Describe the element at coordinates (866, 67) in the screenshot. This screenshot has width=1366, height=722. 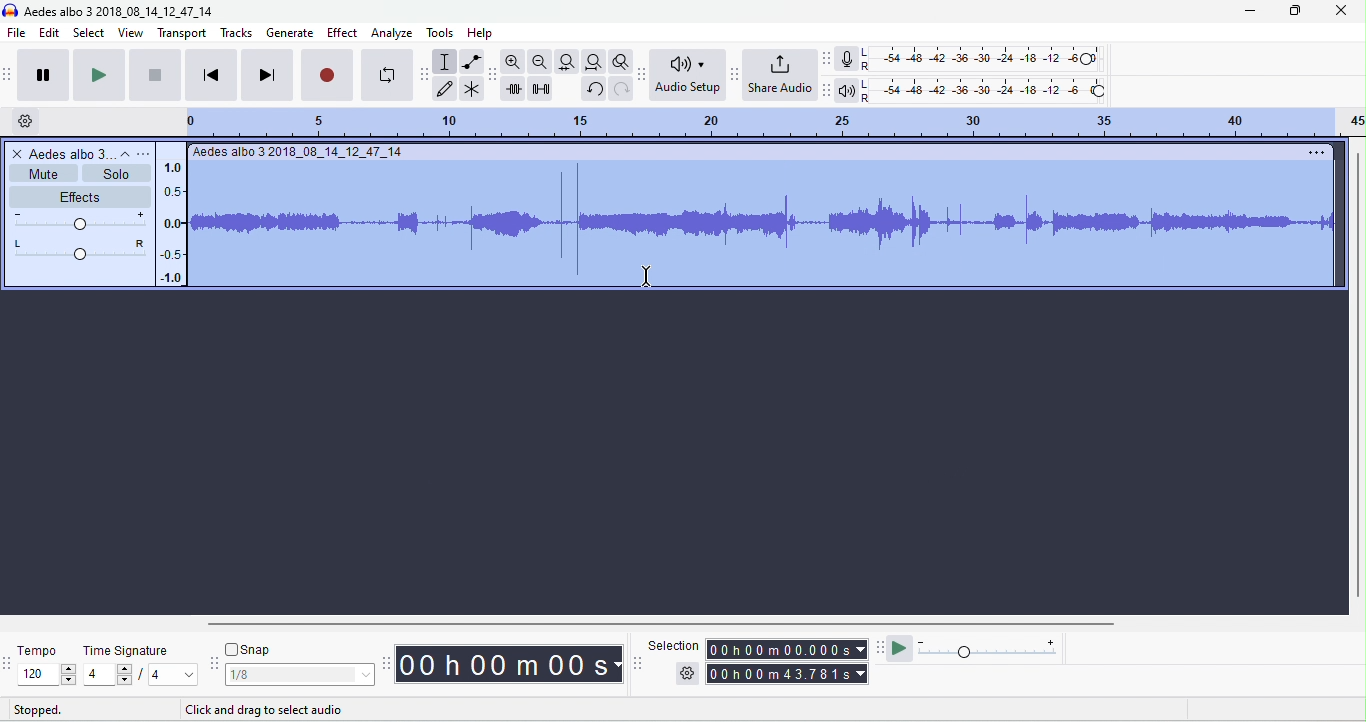
I see `R` at that location.